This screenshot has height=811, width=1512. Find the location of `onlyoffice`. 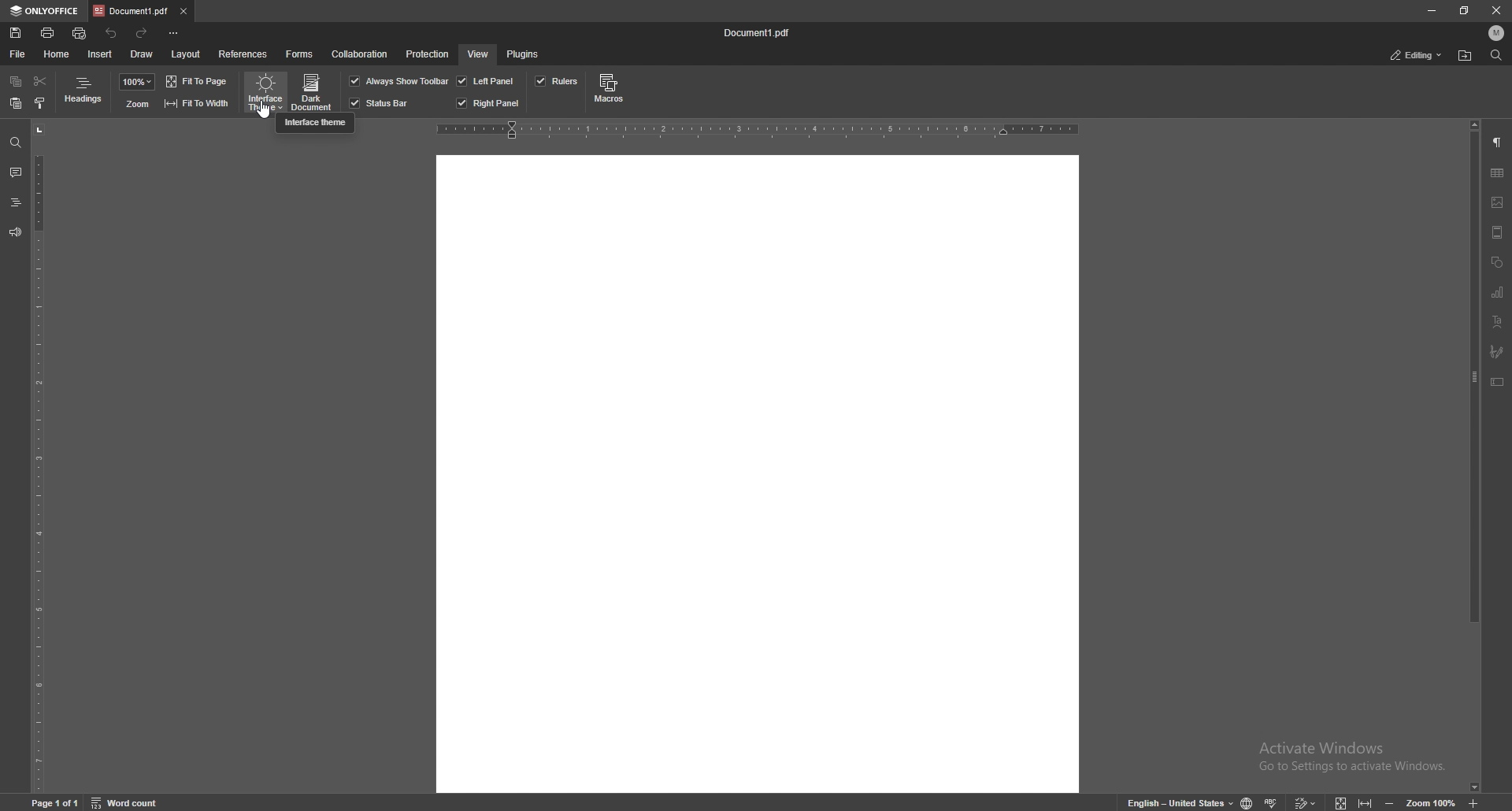

onlyoffice is located at coordinates (44, 10).